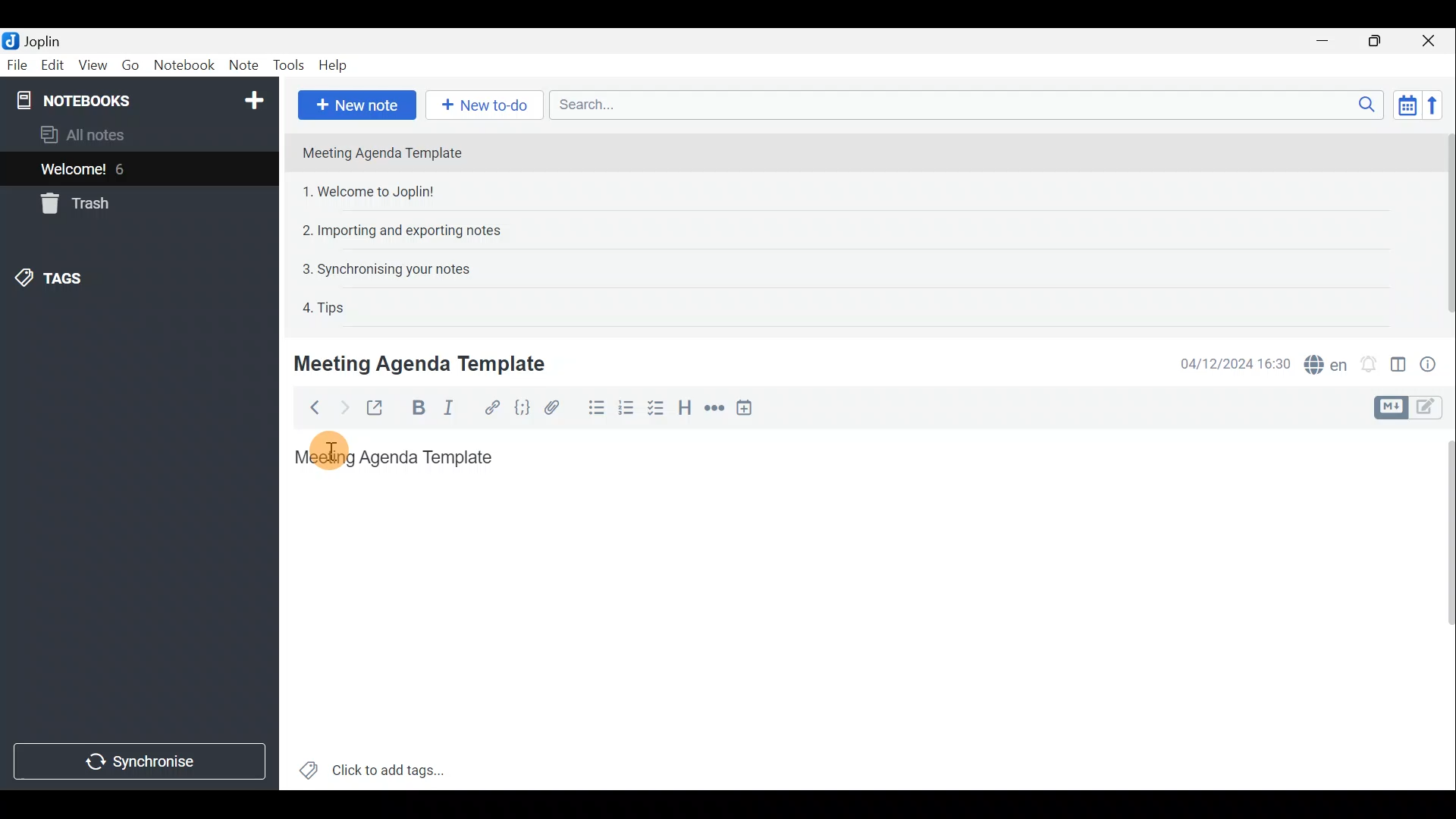 Image resolution: width=1456 pixels, height=819 pixels. Describe the element at coordinates (336, 65) in the screenshot. I see `Help` at that location.